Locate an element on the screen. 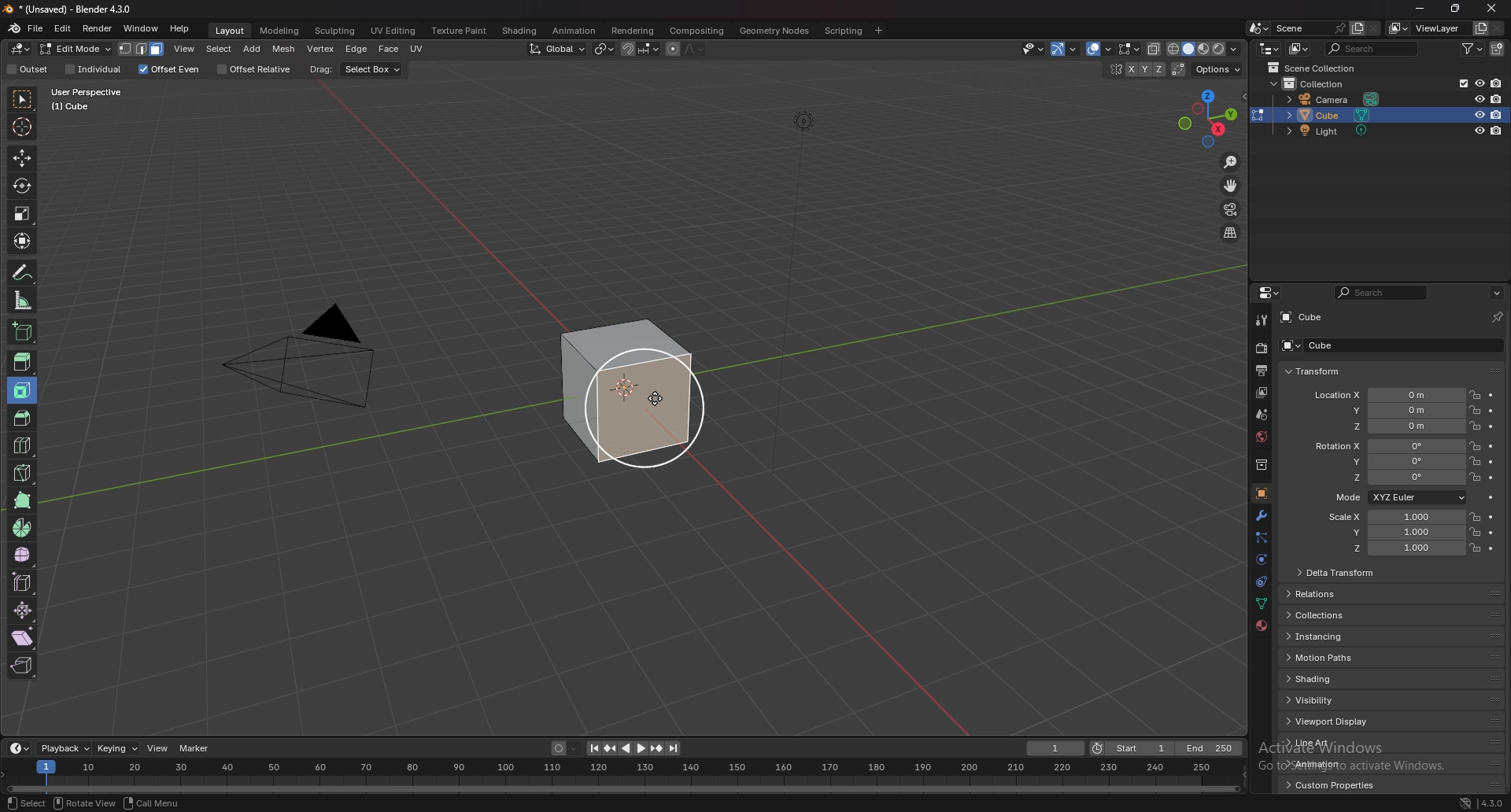 This screenshot has height=812, width=1511. lock is located at coordinates (1475, 426).